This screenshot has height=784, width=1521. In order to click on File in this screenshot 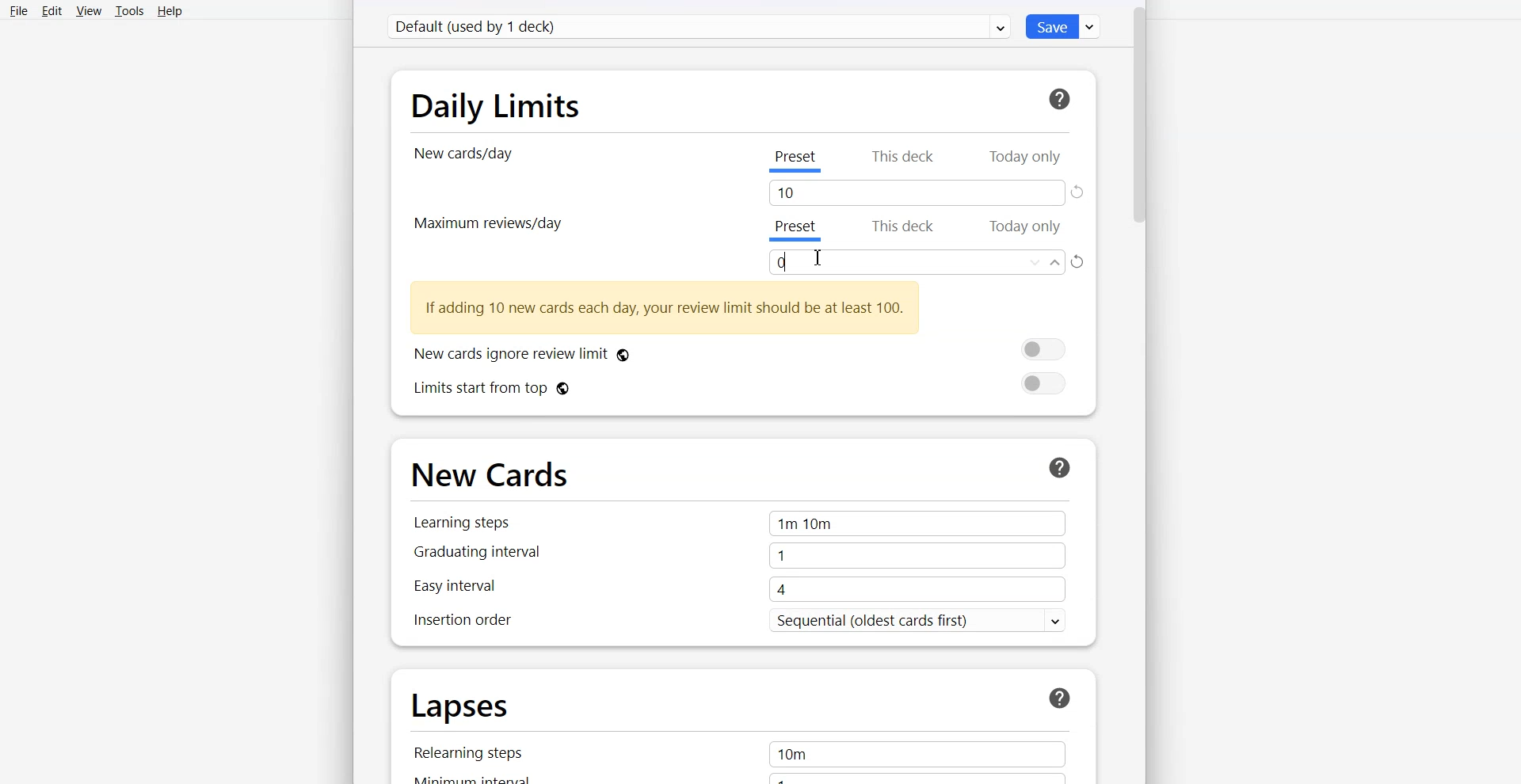, I will do `click(19, 10)`.